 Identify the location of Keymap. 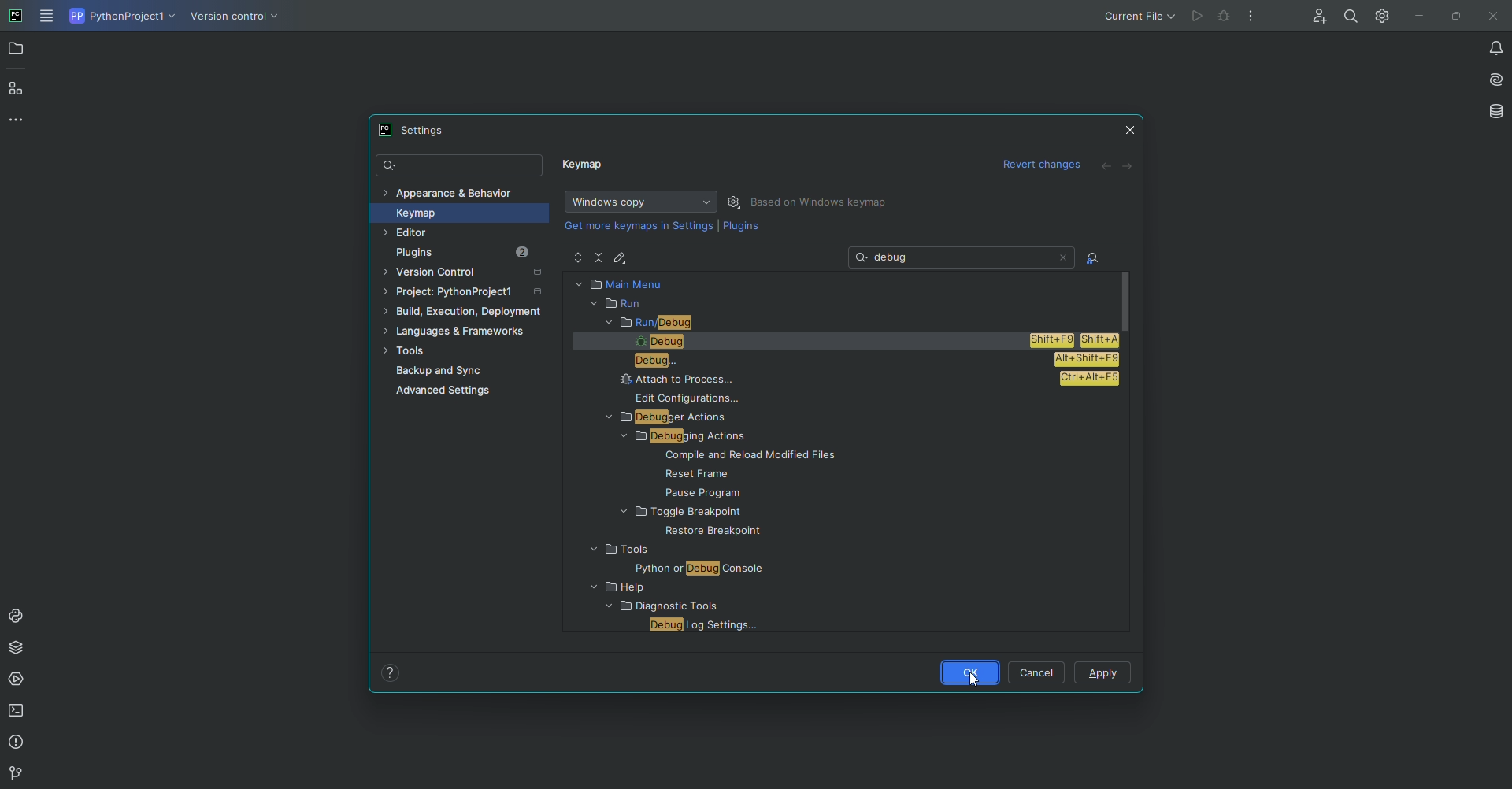
(454, 213).